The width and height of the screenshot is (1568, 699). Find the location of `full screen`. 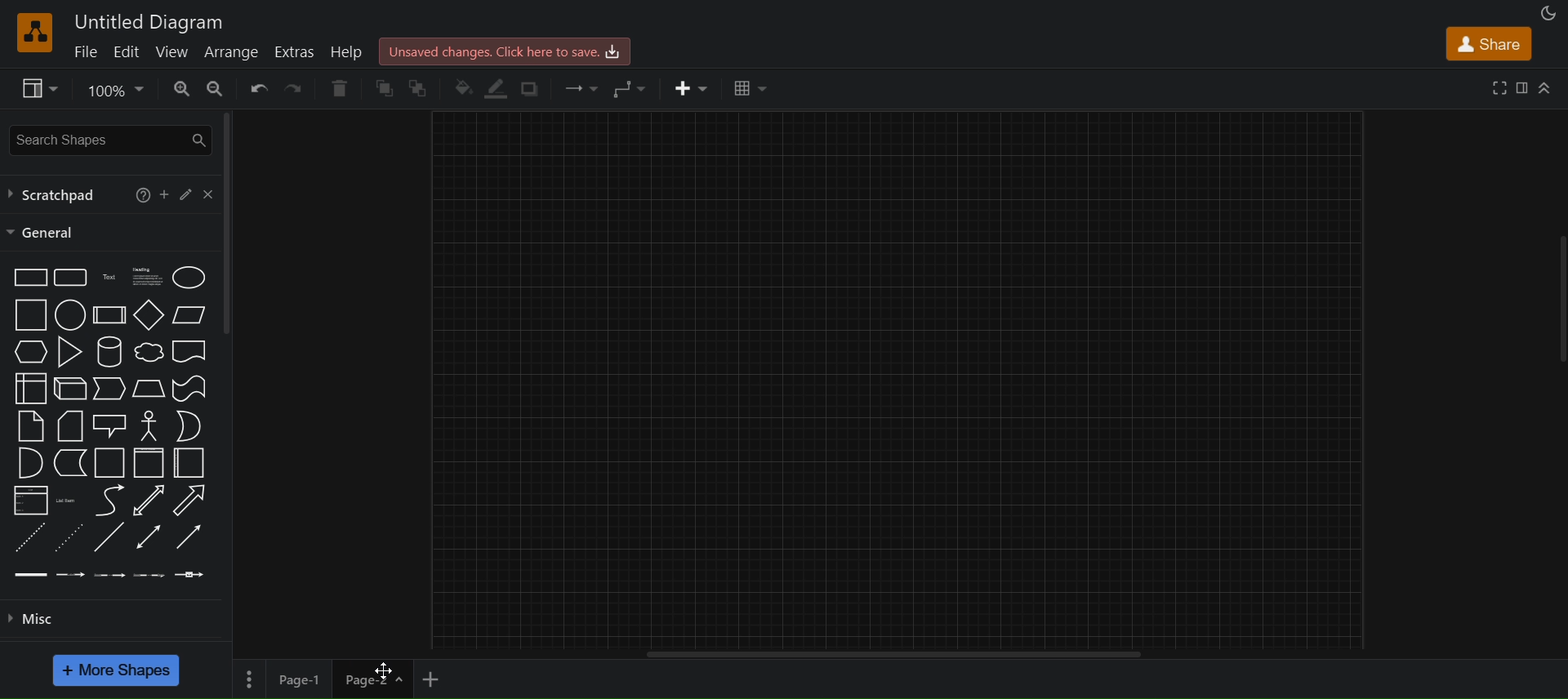

full screen is located at coordinates (1501, 87).